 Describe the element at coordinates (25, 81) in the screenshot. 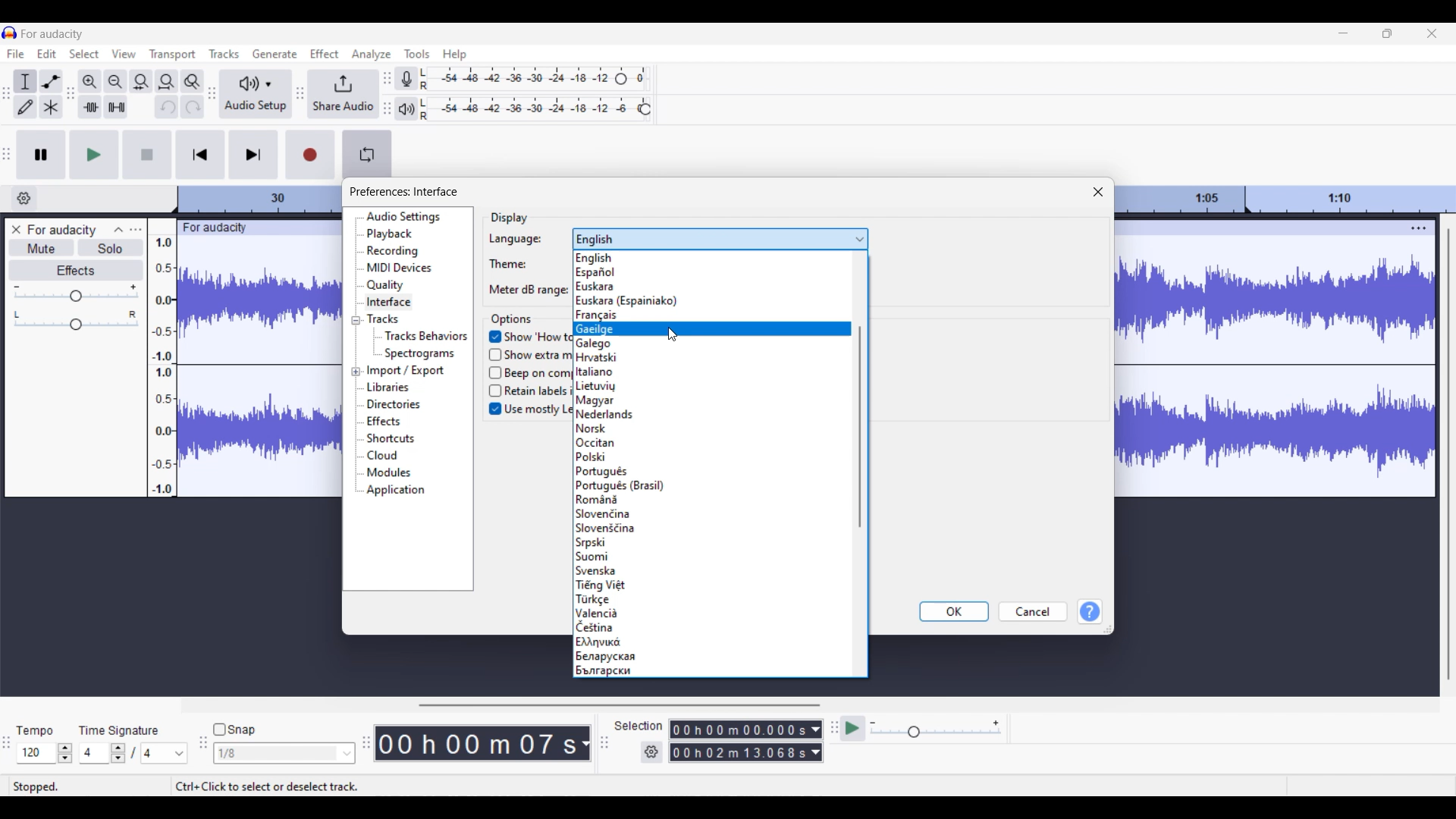

I see `Selection tool` at that location.